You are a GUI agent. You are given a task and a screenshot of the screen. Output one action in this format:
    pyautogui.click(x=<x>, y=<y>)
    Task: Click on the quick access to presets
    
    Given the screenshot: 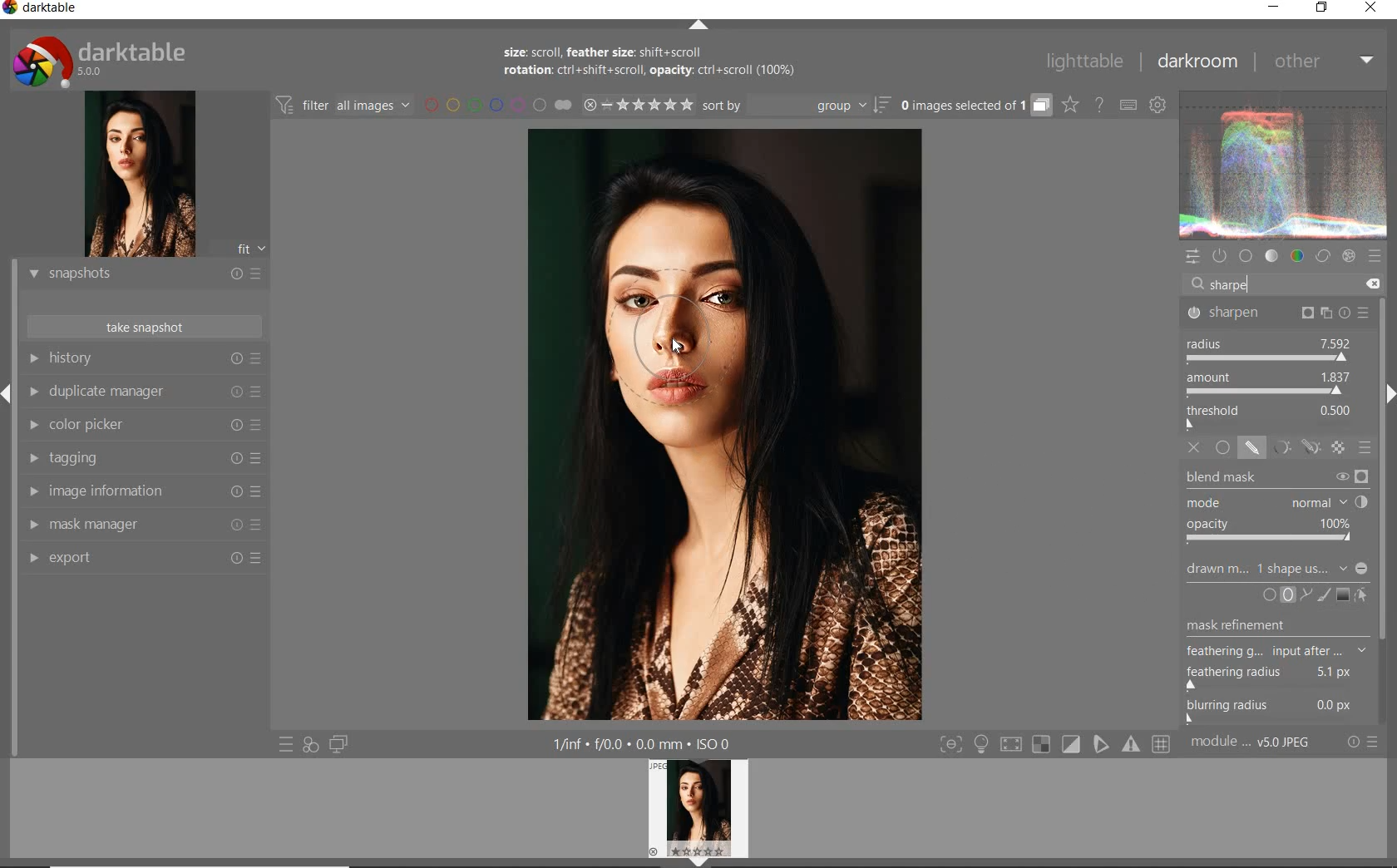 What is the action you would take?
    pyautogui.click(x=284, y=744)
    